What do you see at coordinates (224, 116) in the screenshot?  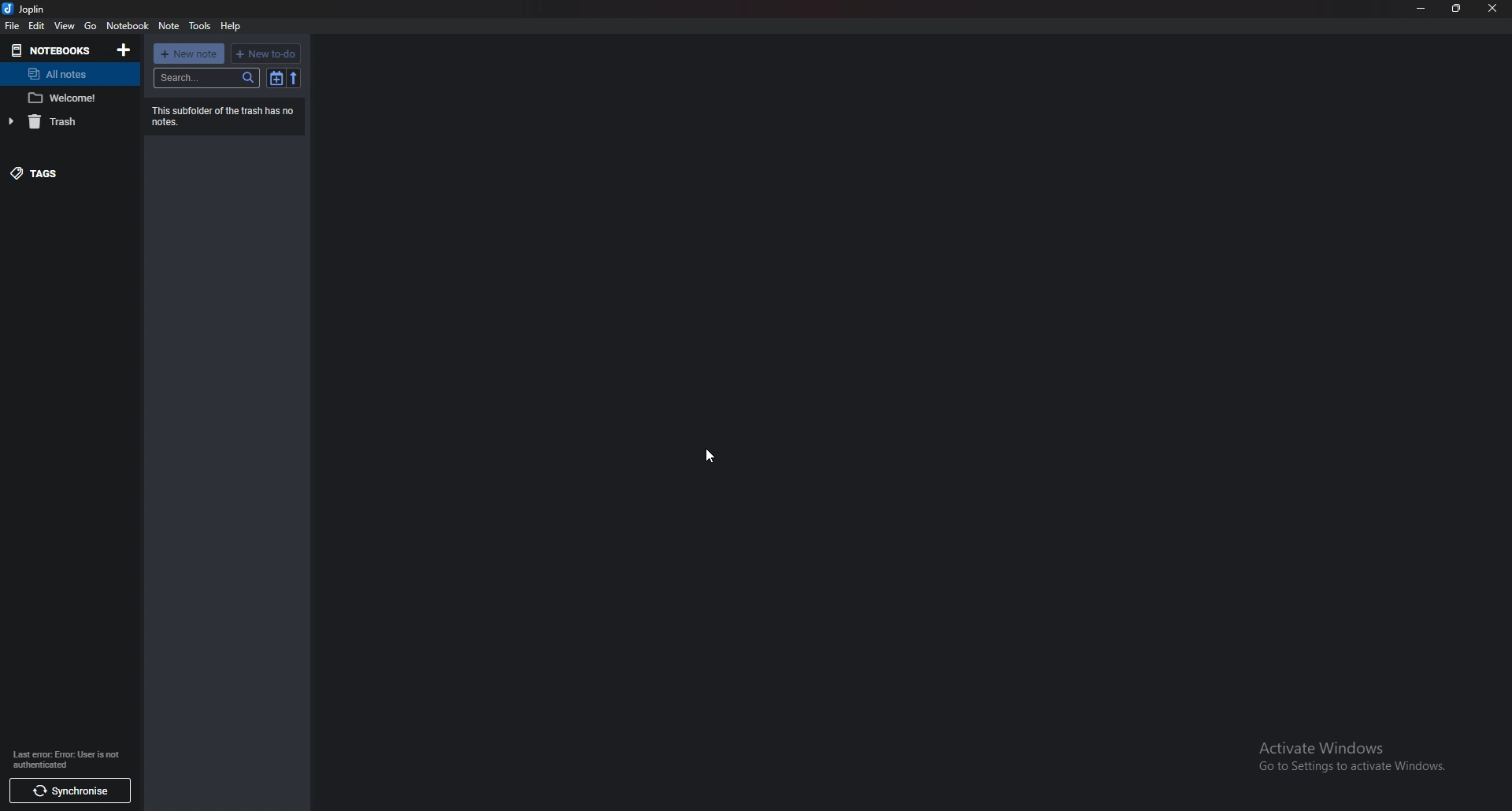 I see ` info` at bounding box center [224, 116].